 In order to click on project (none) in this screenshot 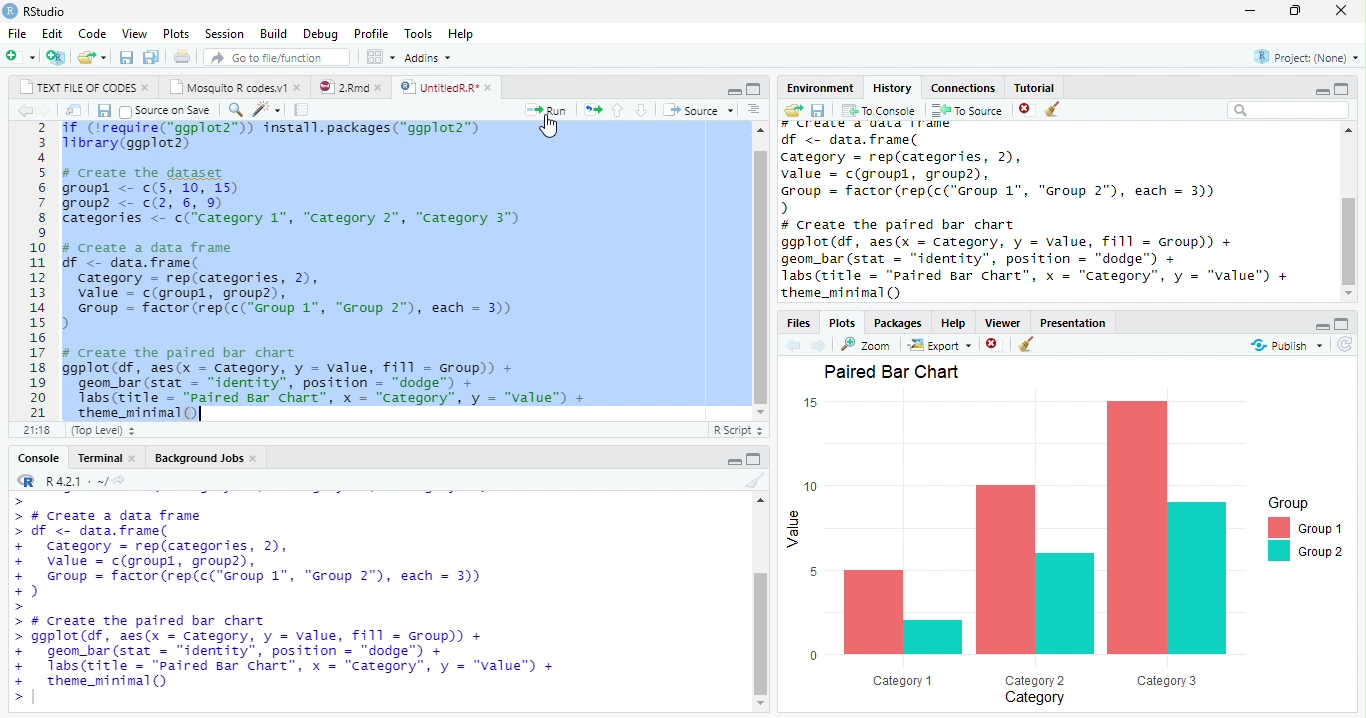, I will do `click(1306, 55)`.